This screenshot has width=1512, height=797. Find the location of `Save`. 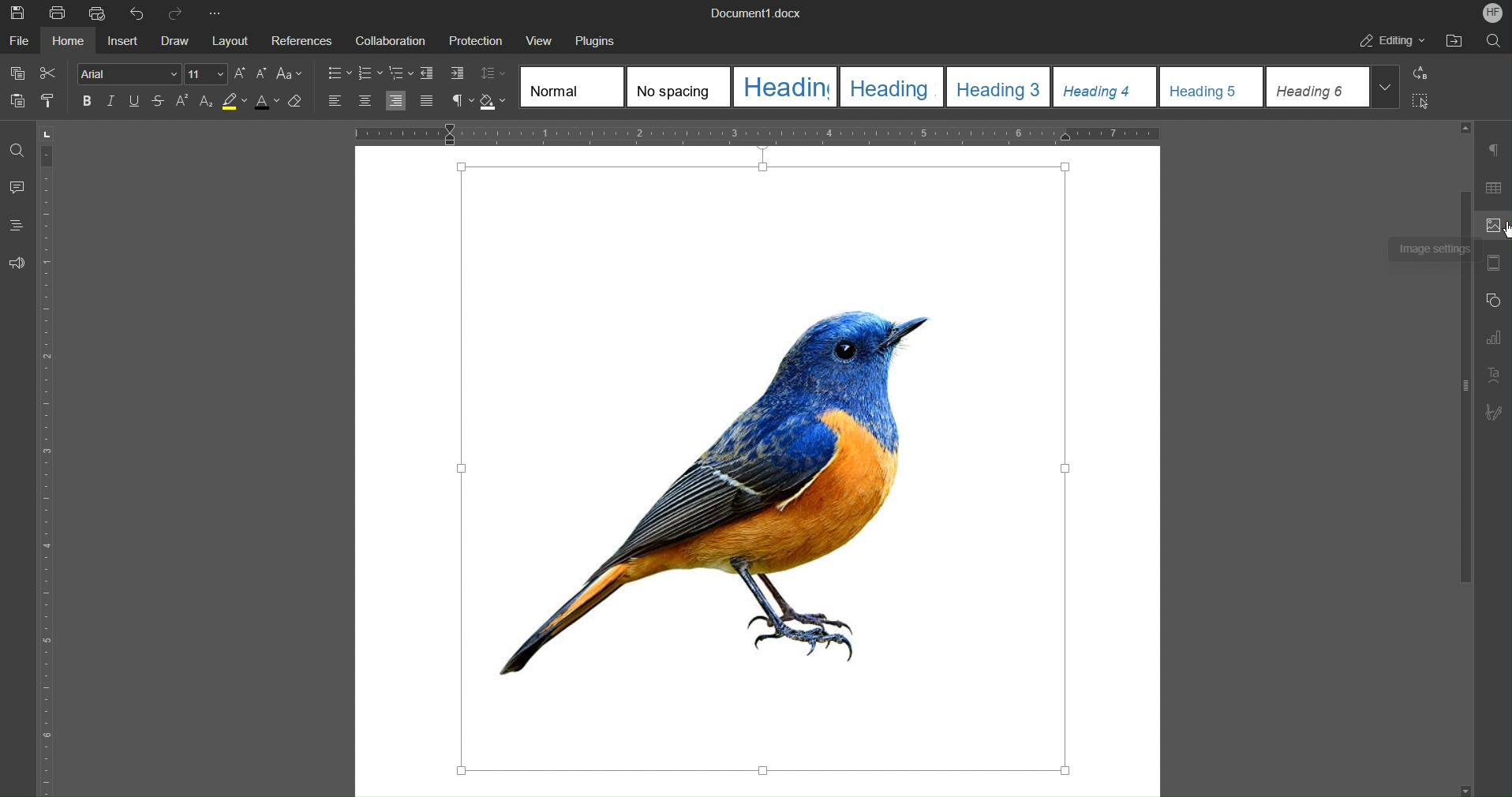

Save is located at coordinates (19, 13).